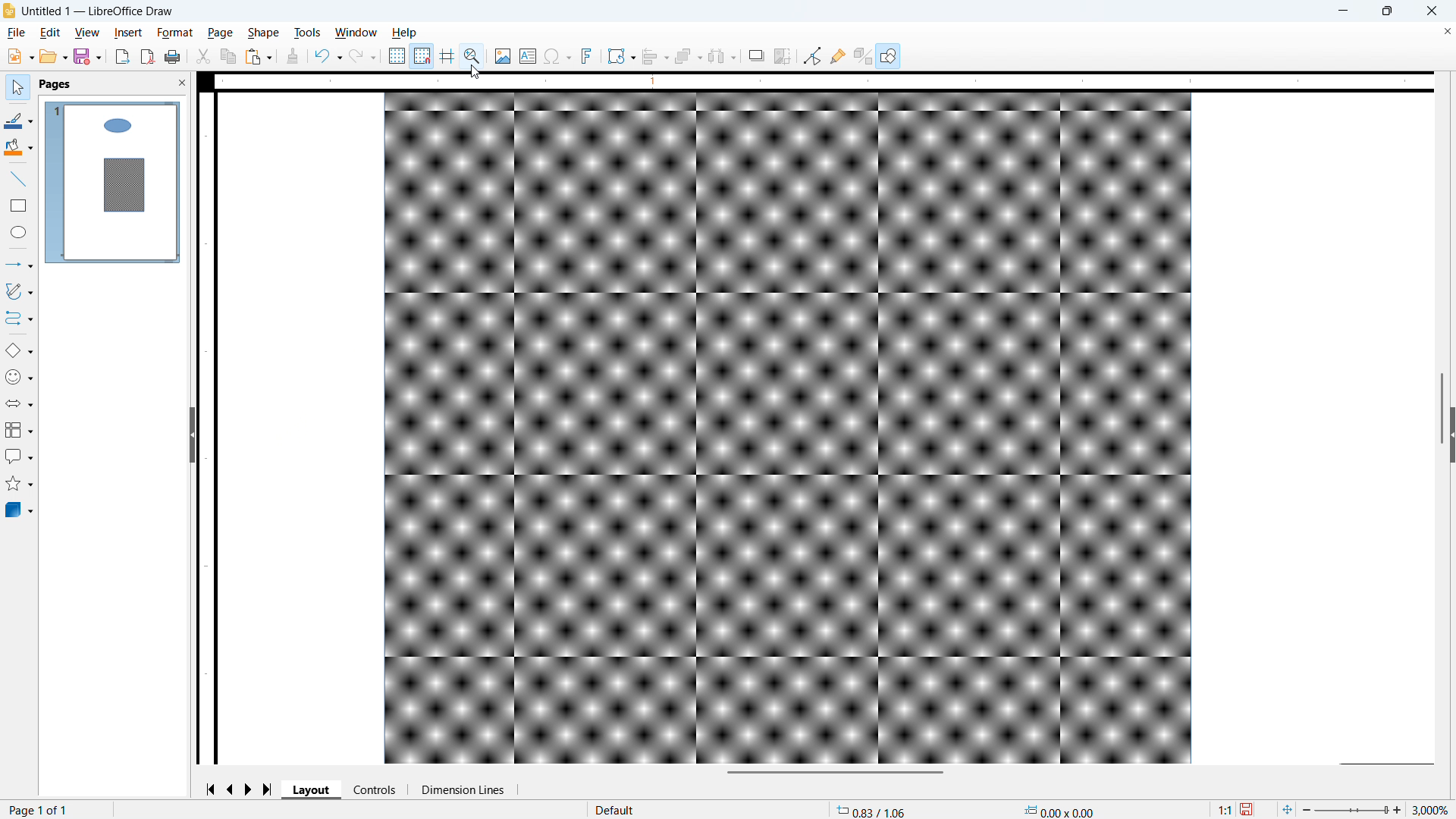 The width and height of the screenshot is (1456, 819). Describe the element at coordinates (812, 56) in the screenshot. I see `Toggle point edit mode ` at that location.